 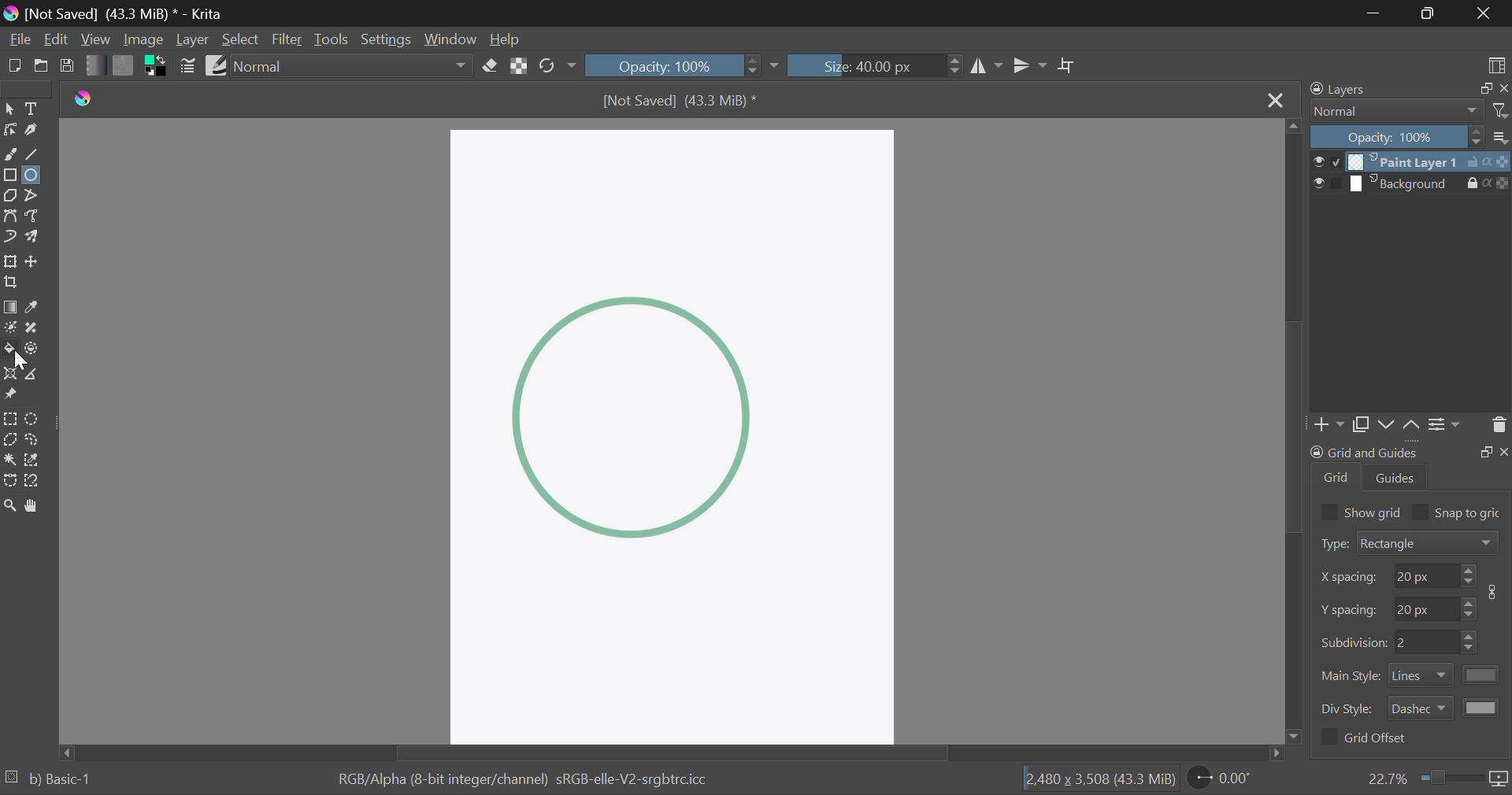 What do you see at coordinates (1296, 431) in the screenshot?
I see `Scroll Bar` at bounding box center [1296, 431].